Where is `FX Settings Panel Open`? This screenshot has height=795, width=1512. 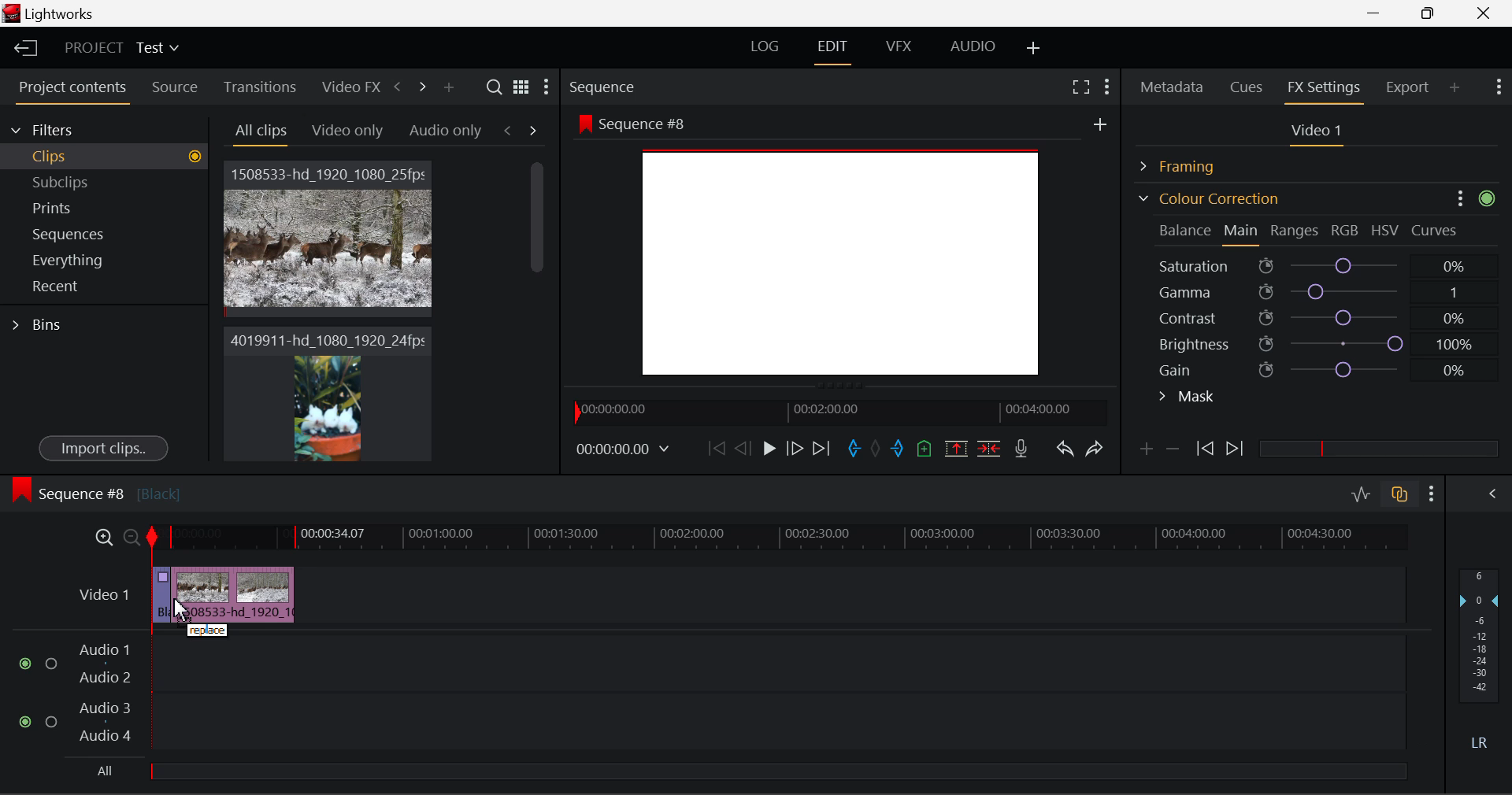
FX Settings Panel Open is located at coordinates (1325, 89).